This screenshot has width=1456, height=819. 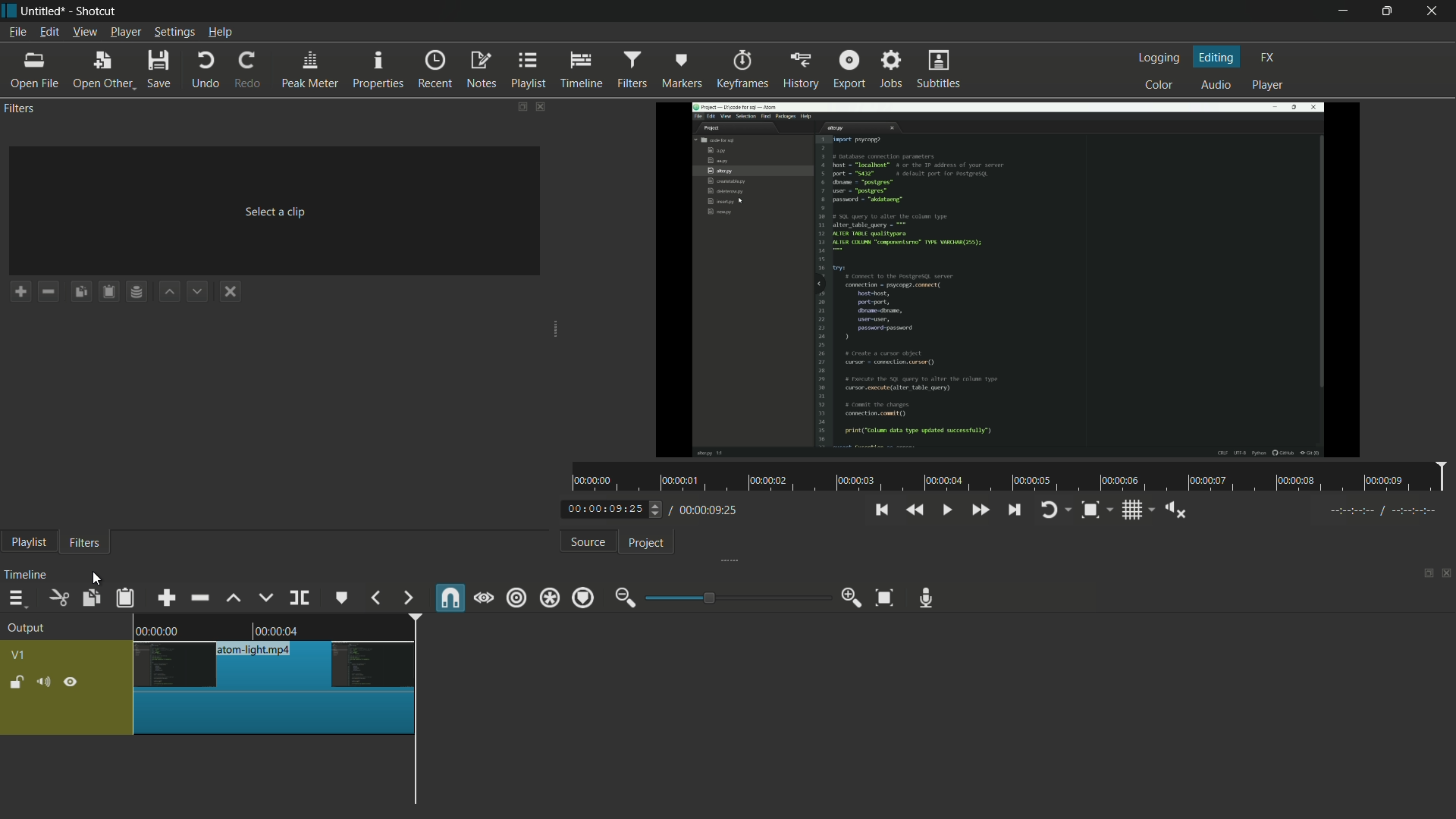 I want to click on properties, so click(x=380, y=71).